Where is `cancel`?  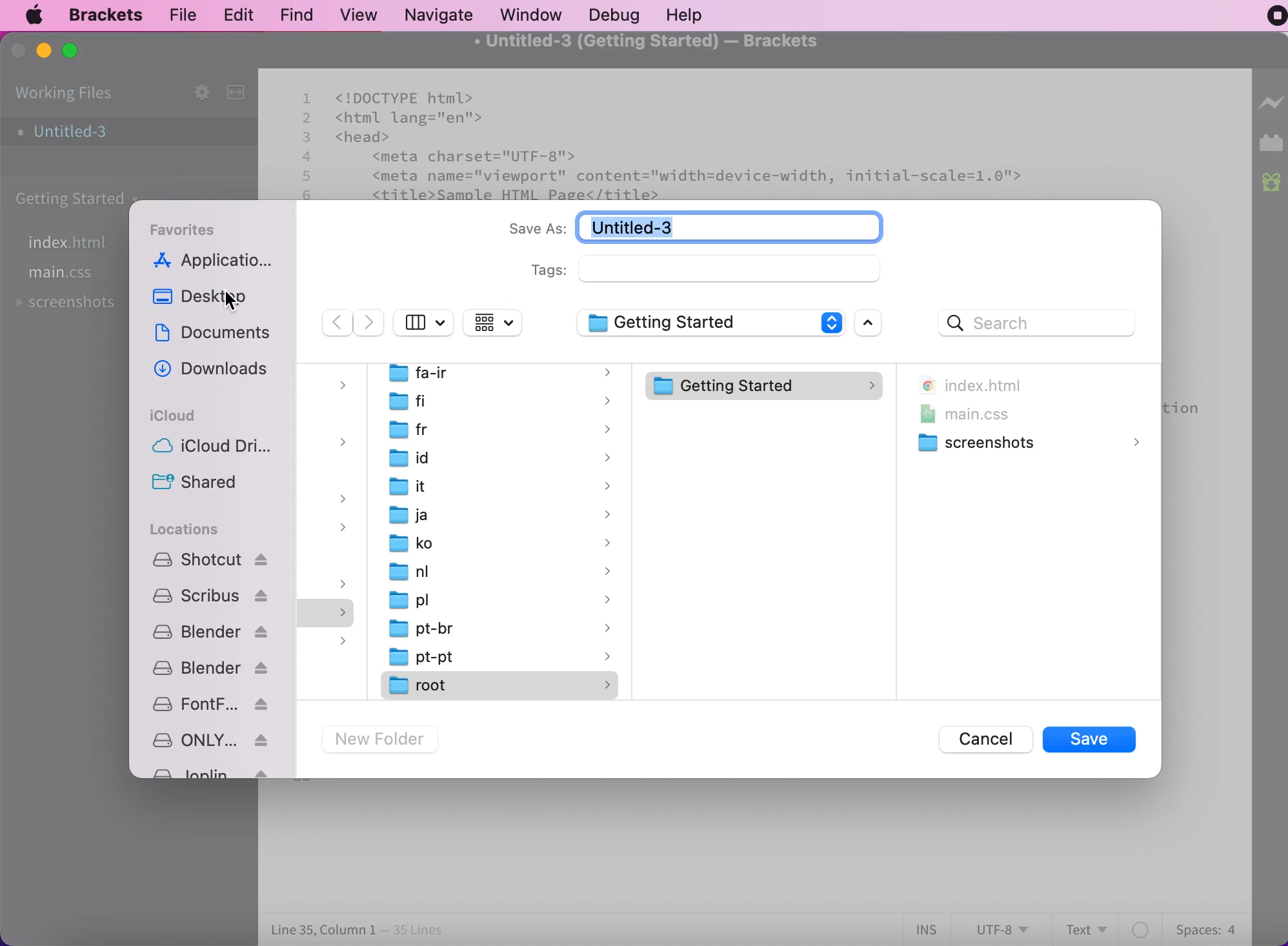
cancel is located at coordinates (983, 740).